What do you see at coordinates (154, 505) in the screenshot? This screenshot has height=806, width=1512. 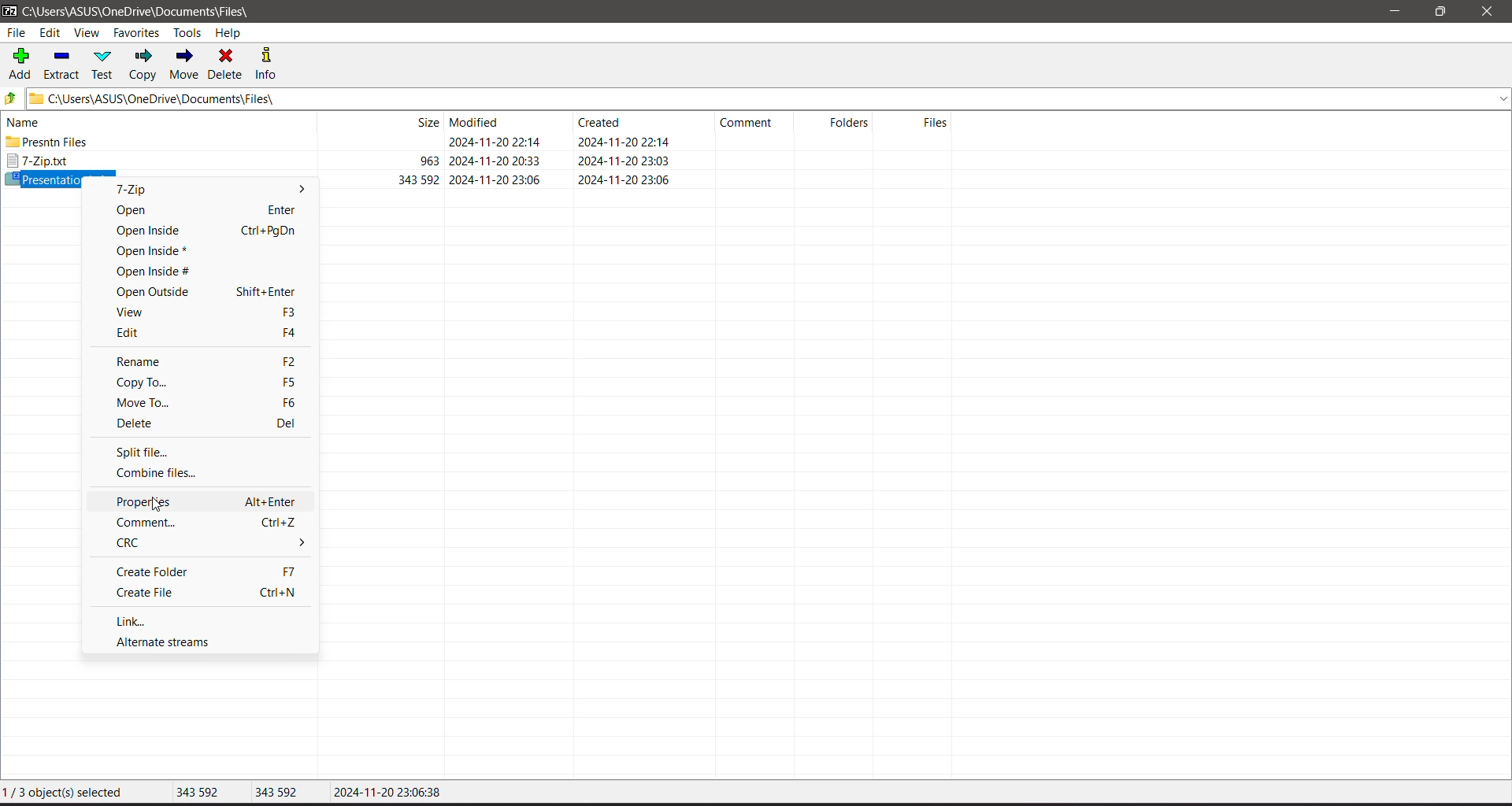 I see `Cursor` at bounding box center [154, 505].